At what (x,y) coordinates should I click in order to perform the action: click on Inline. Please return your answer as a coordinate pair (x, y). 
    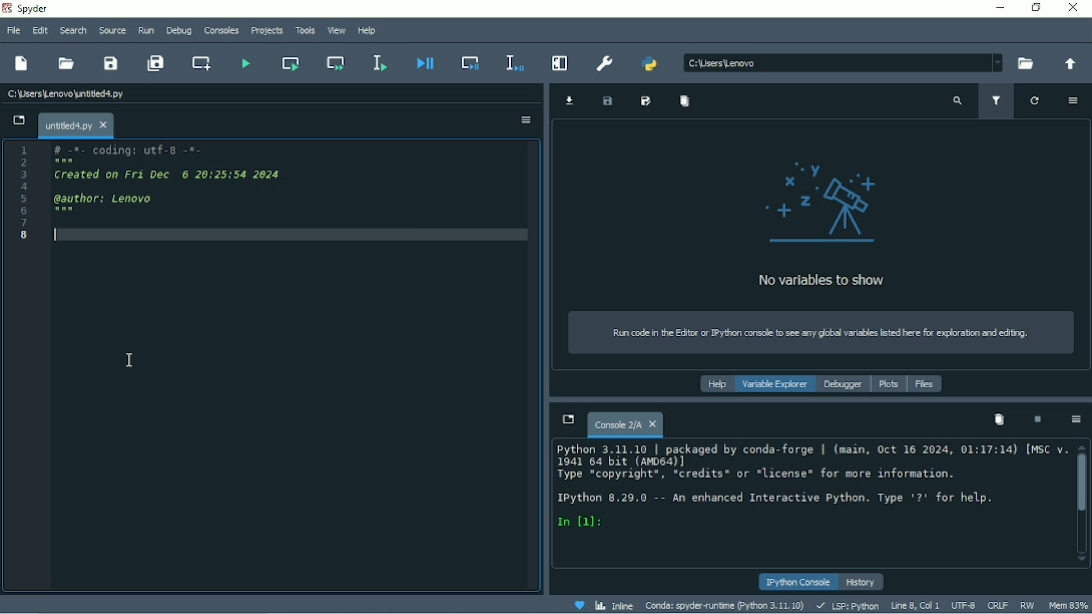
    Looking at the image, I should click on (614, 605).